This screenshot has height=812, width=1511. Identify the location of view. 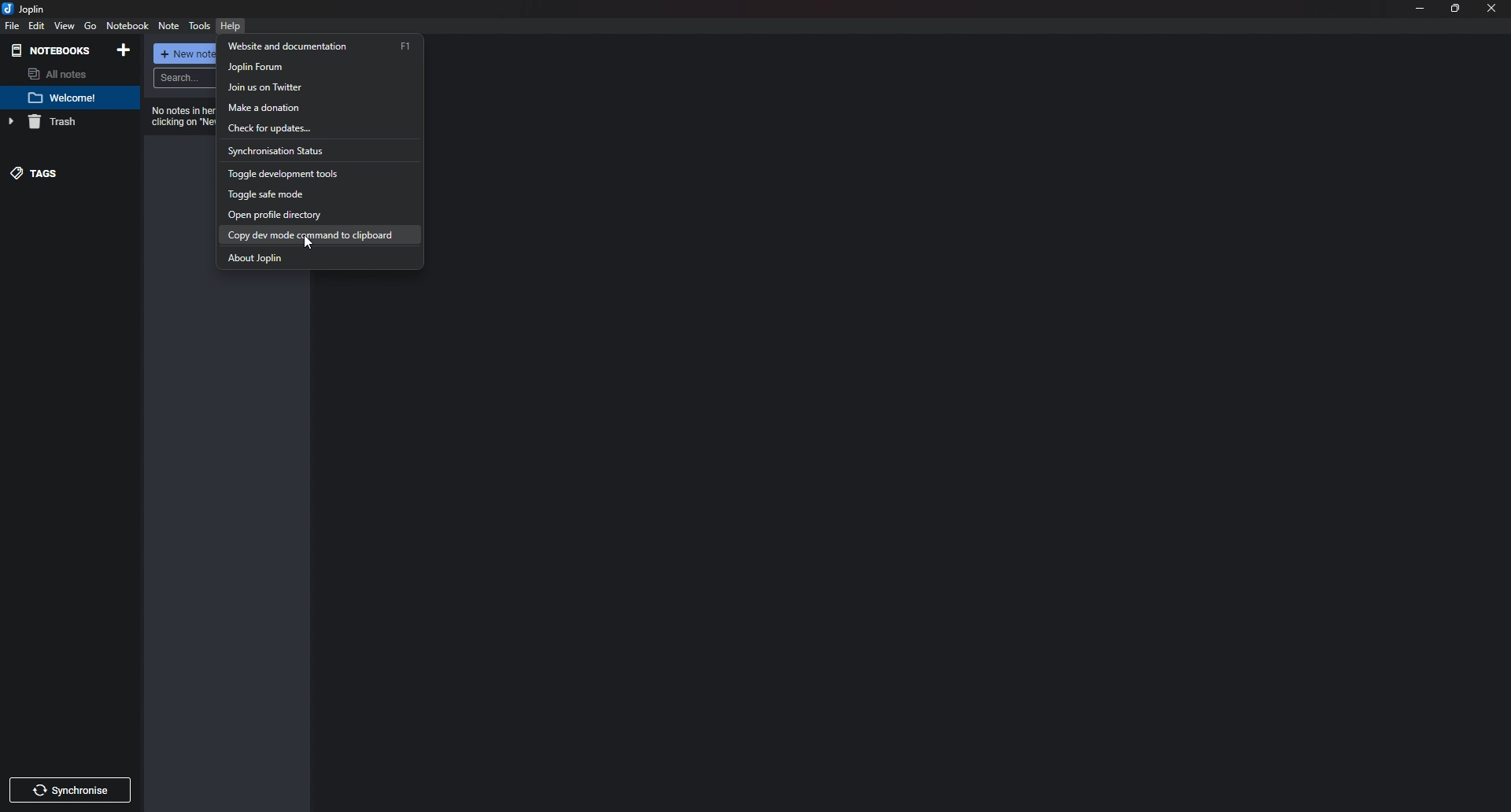
(65, 26).